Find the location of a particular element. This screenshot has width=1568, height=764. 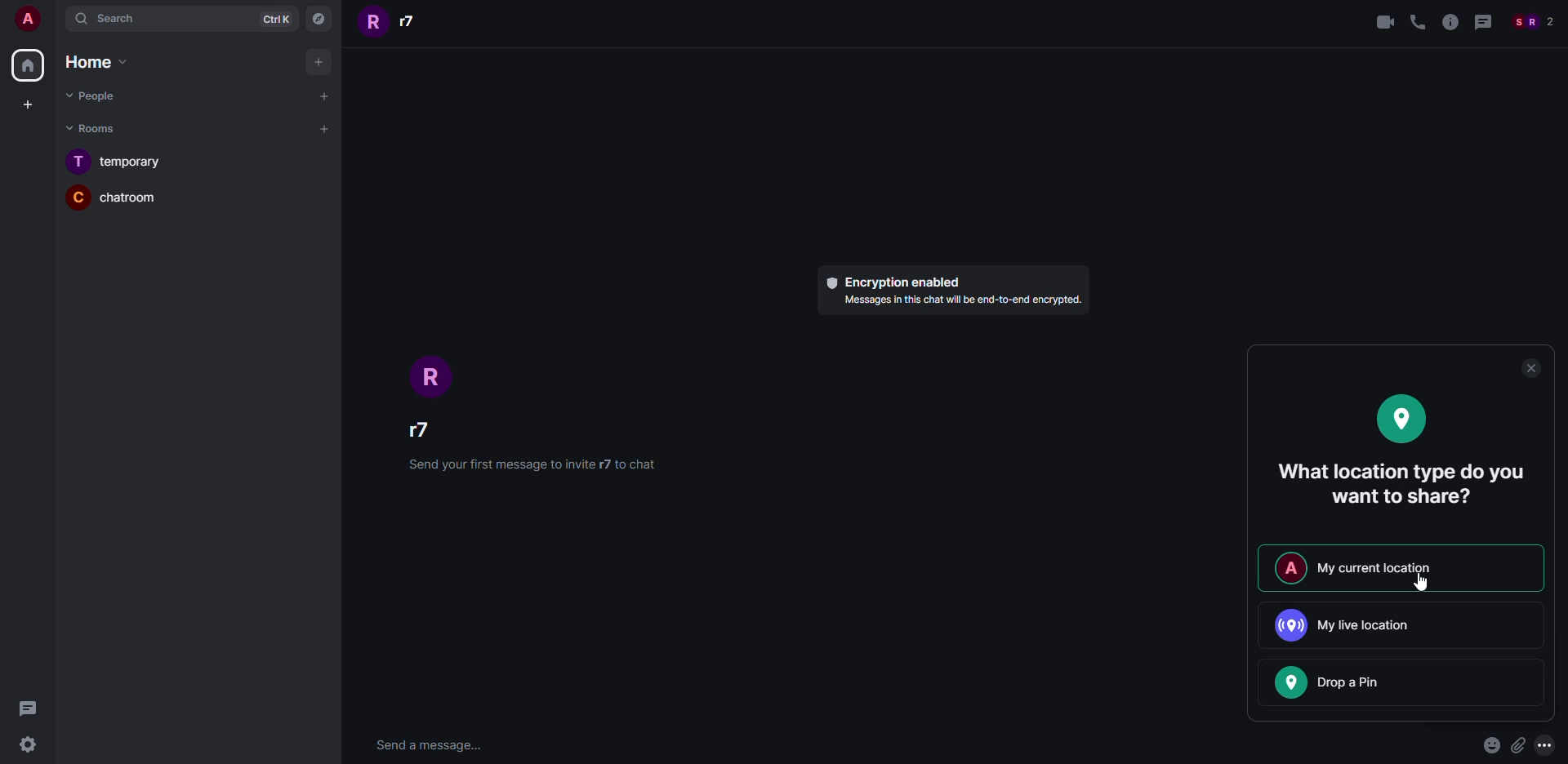

information is located at coordinates (1449, 23).